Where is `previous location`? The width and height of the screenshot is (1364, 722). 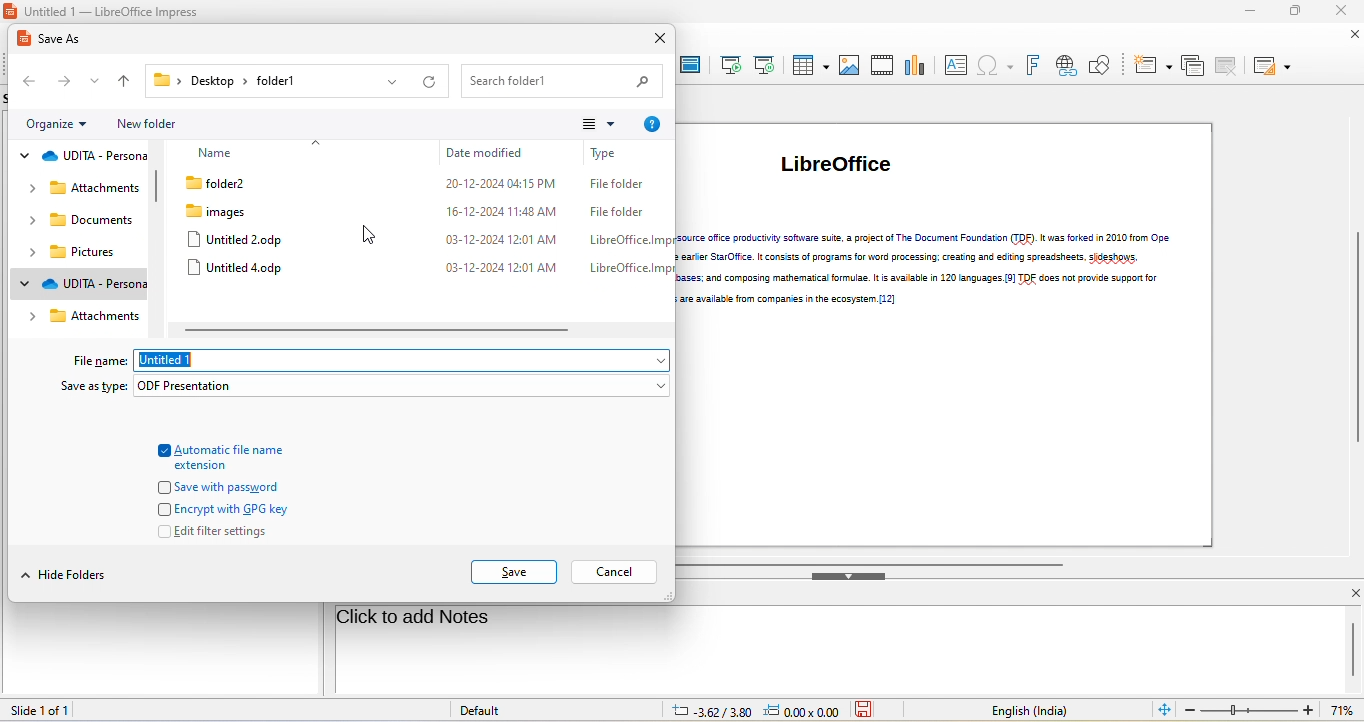 previous location is located at coordinates (392, 83).